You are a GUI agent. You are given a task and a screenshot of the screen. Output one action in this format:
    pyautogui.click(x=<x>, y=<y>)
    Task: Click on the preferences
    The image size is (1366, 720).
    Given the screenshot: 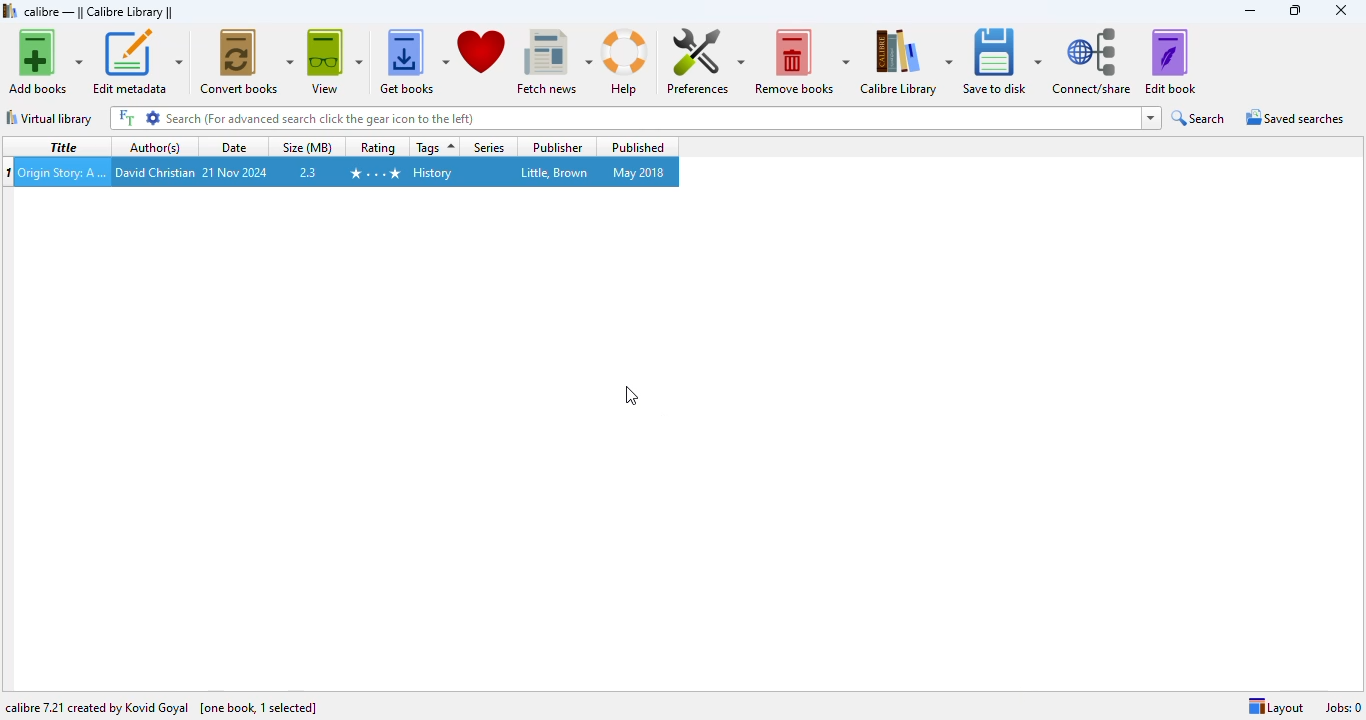 What is the action you would take?
    pyautogui.click(x=704, y=60)
    